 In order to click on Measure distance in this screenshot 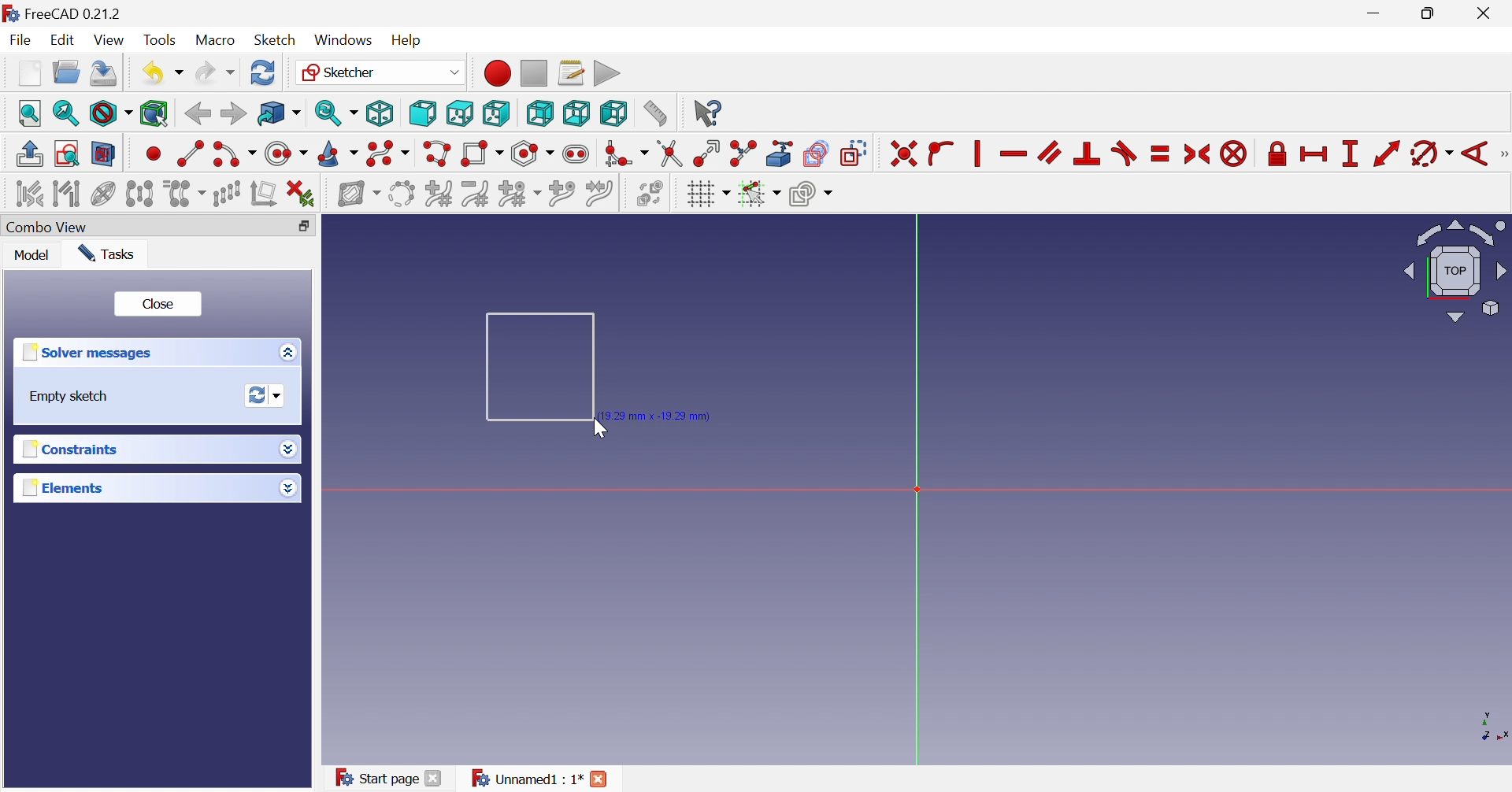, I will do `click(654, 114)`.